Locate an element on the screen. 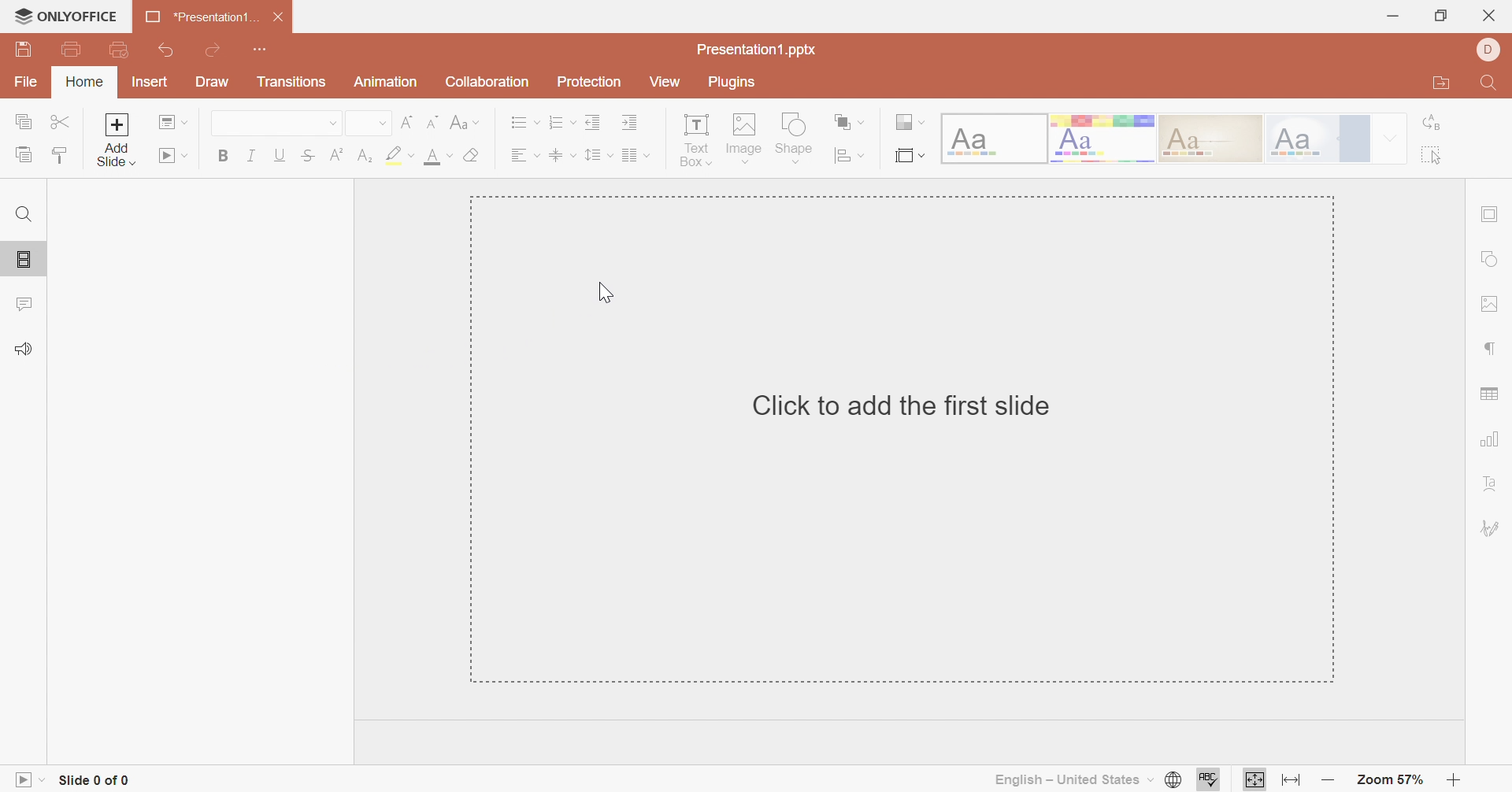 The width and height of the screenshot is (1512, 792). Blank is located at coordinates (993, 138).